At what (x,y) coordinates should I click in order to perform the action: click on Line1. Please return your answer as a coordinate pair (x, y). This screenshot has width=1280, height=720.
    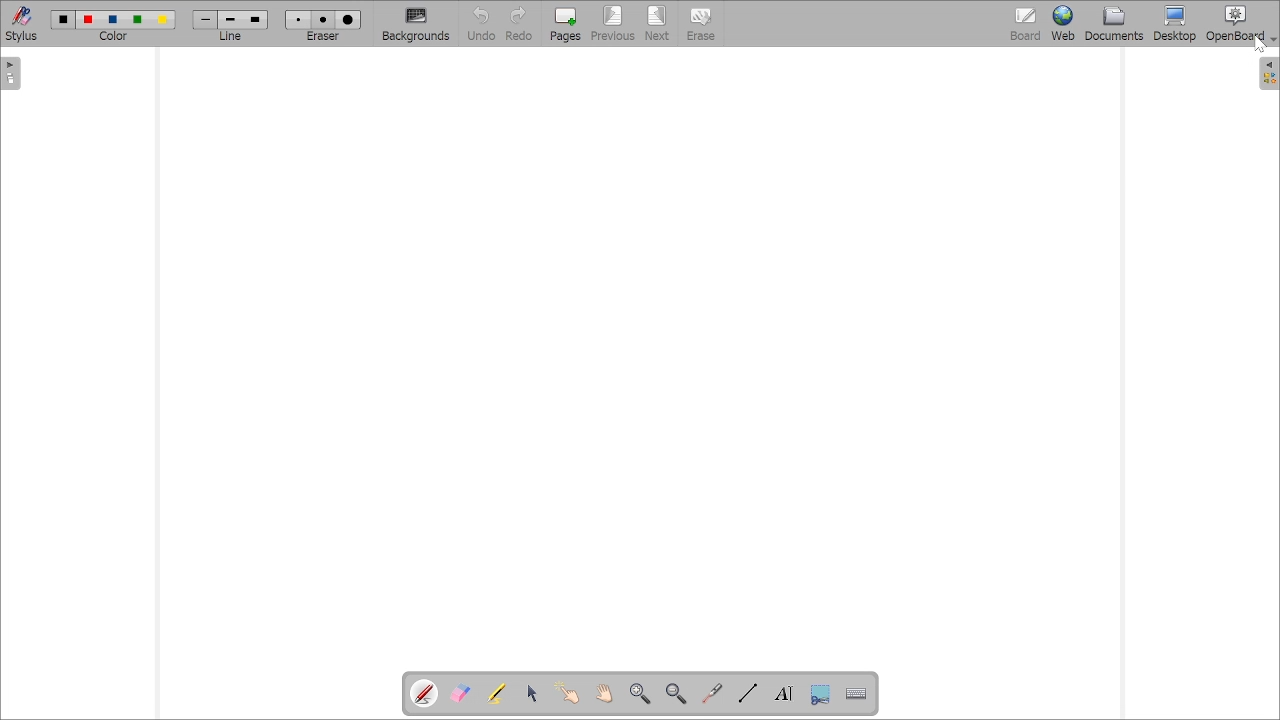
    Looking at the image, I should click on (205, 19).